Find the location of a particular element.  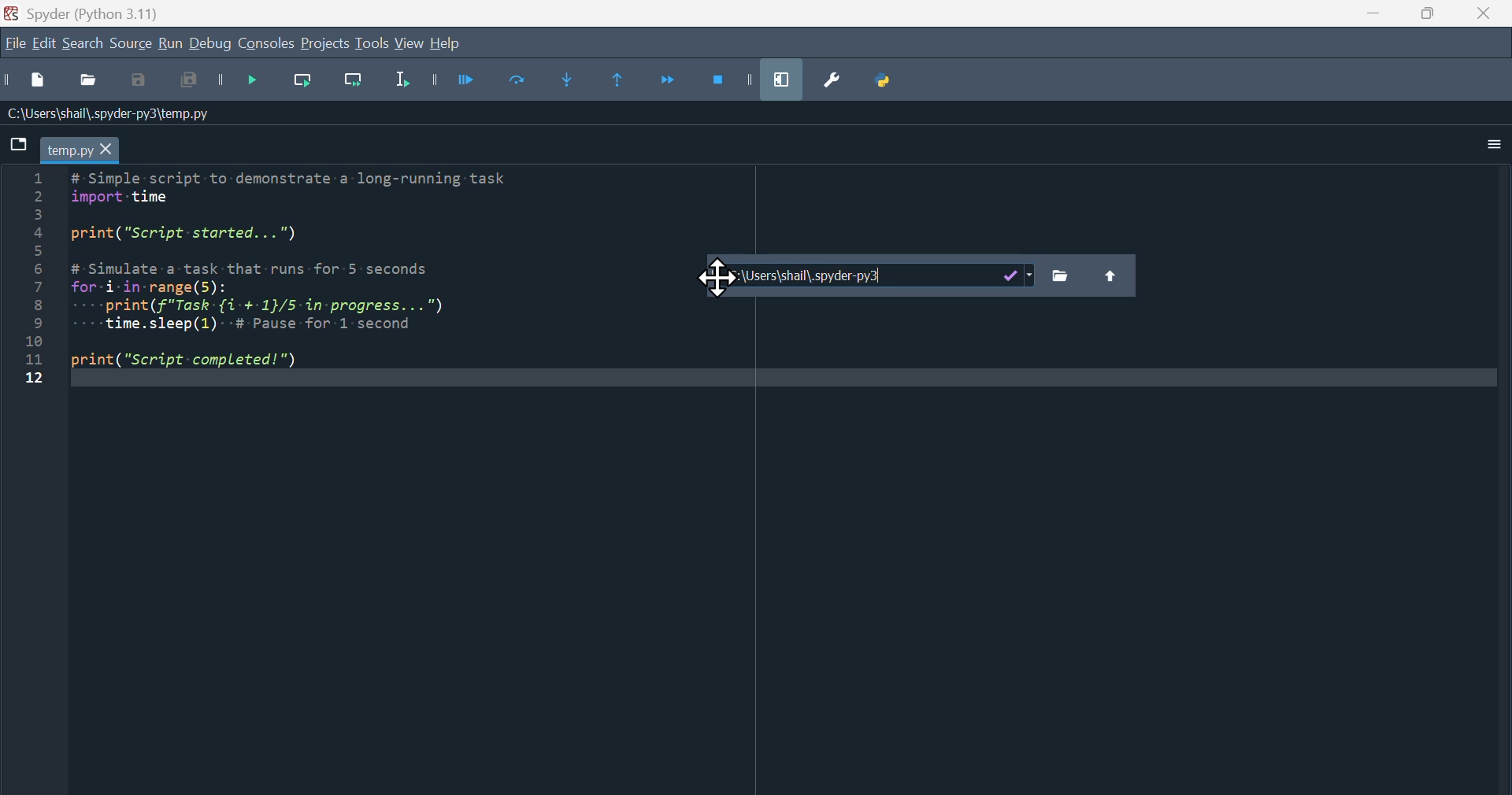

 is located at coordinates (190, 85).